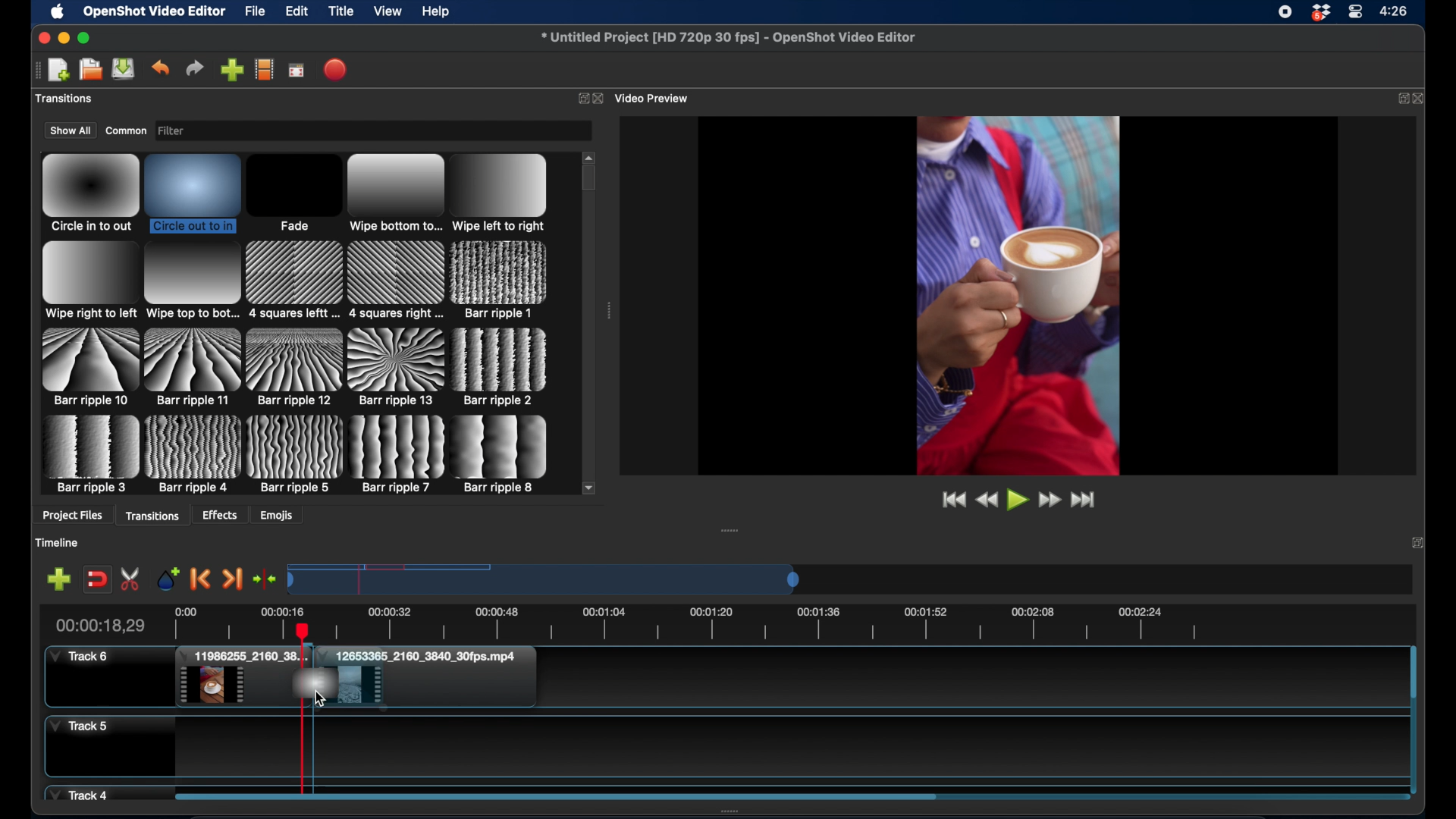 This screenshot has width=1456, height=819. What do you see at coordinates (70, 130) in the screenshot?
I see `show all` at bounding box center [70, 130].